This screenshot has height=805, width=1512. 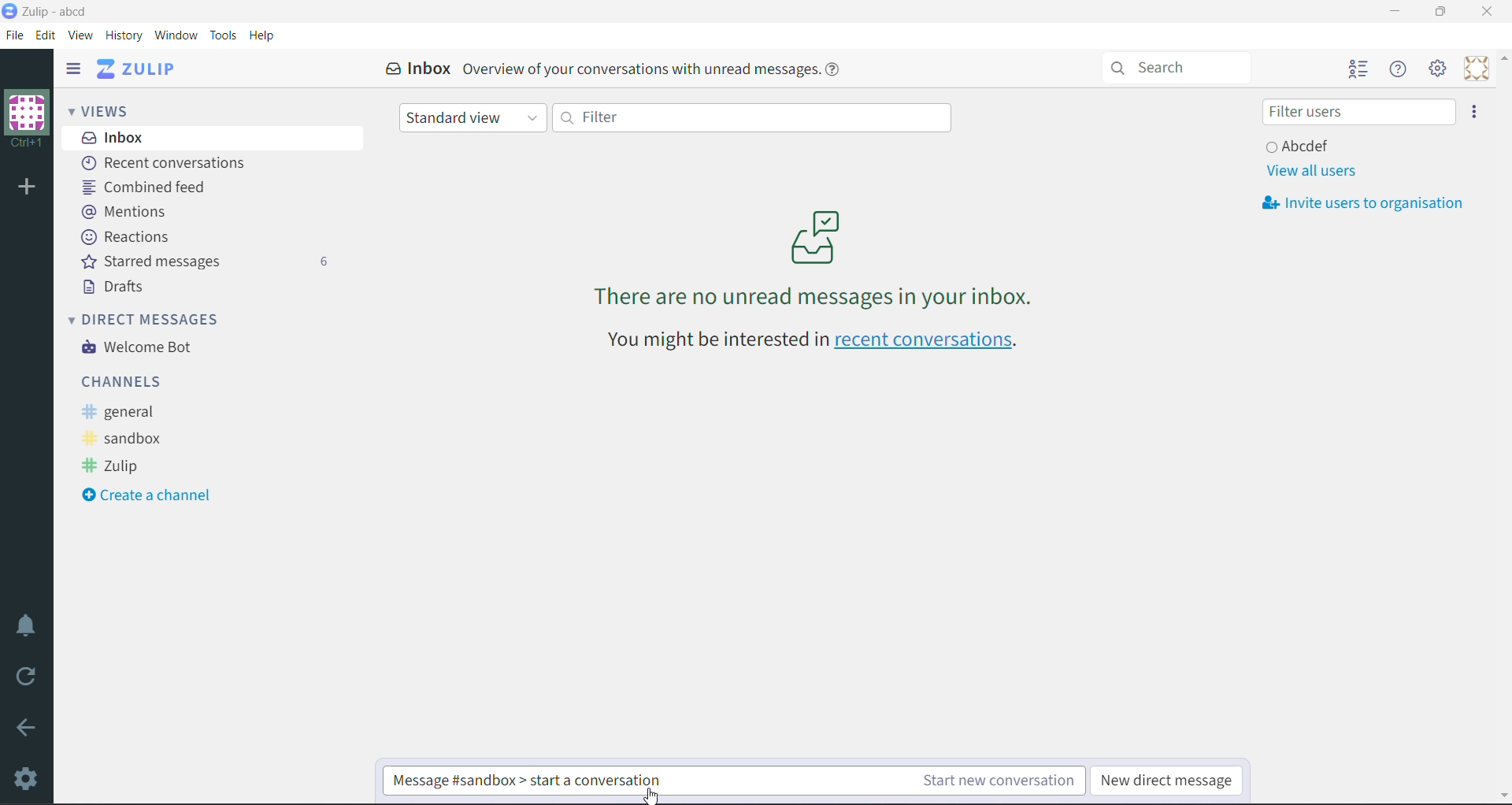 What do you see at coordinates (1166, 782) in the screenshot?
I see `` at bounding box center [1166, 782].